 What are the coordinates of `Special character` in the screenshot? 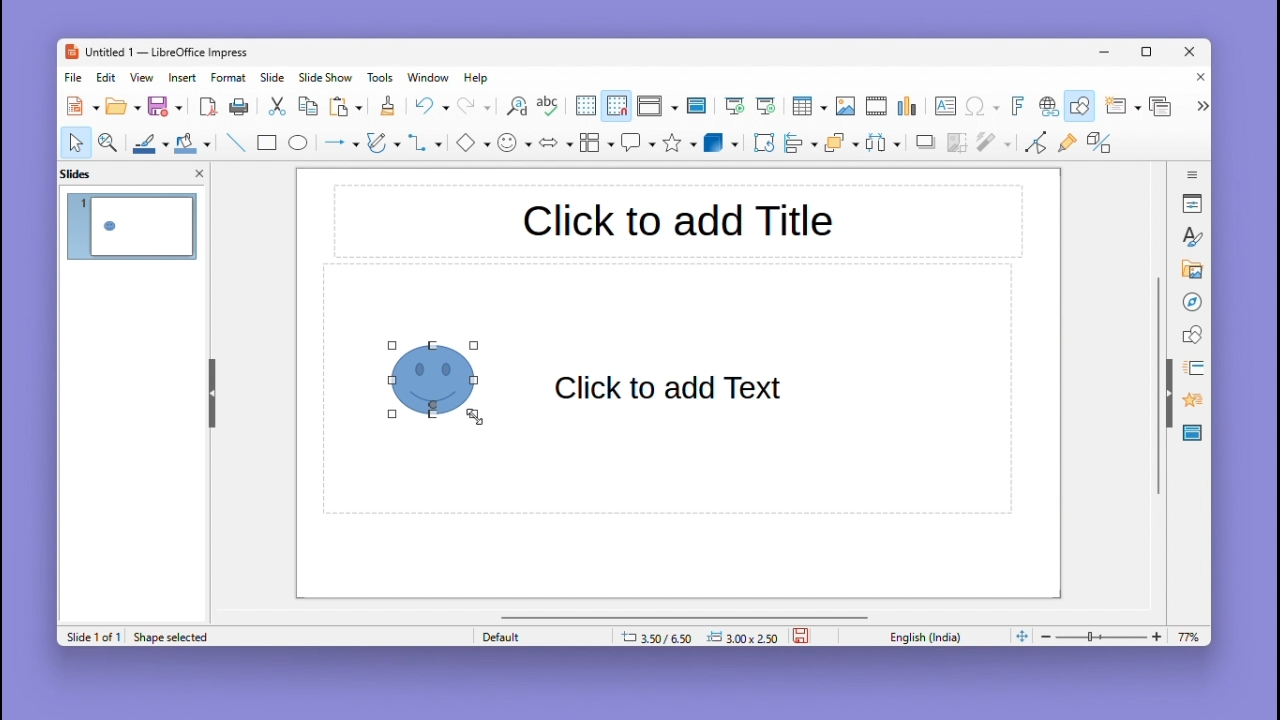 It's located at (983, 108).